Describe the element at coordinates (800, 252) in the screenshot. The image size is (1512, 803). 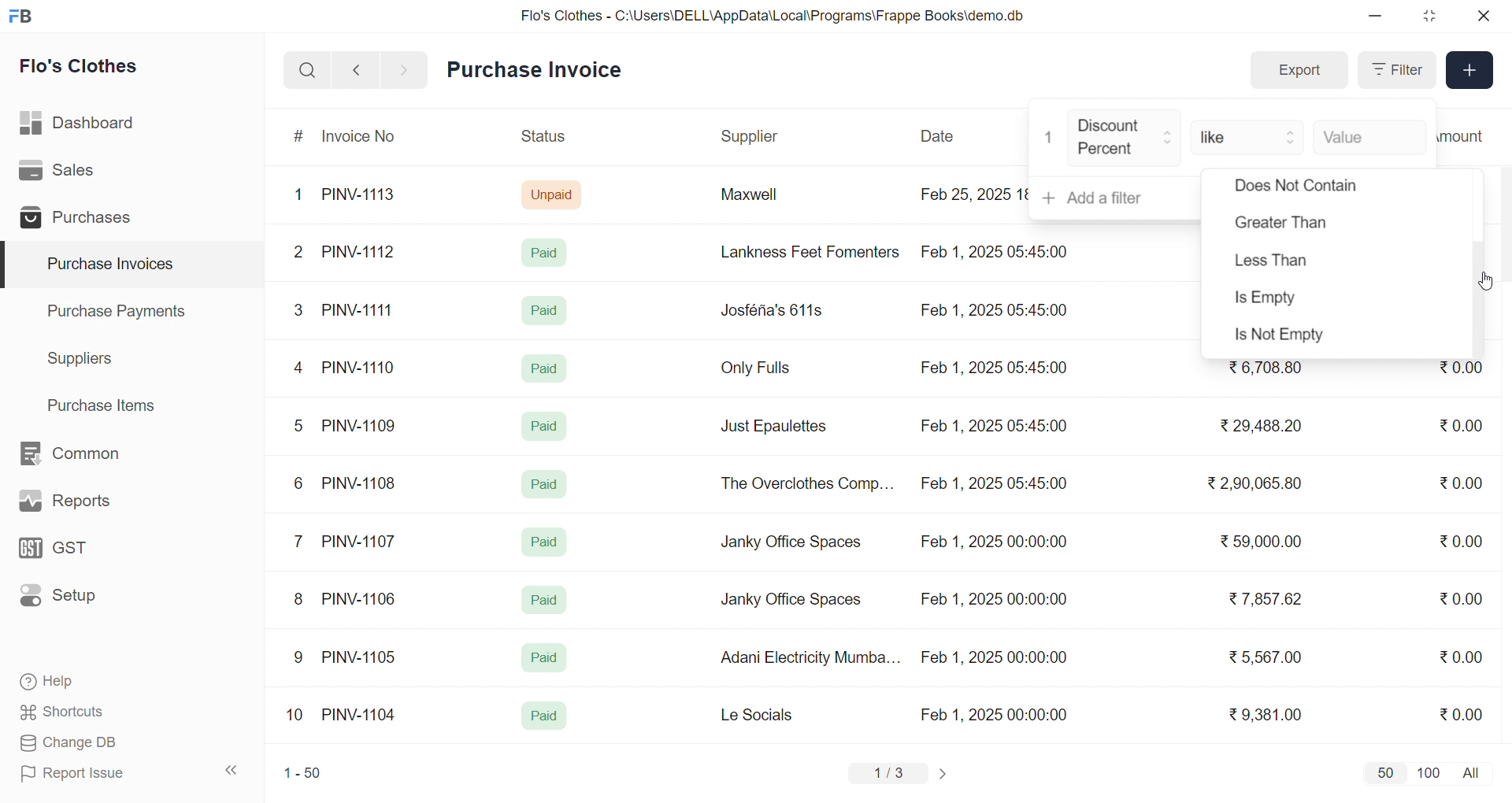
I see `Lankness Feet Fomenters` at that location.